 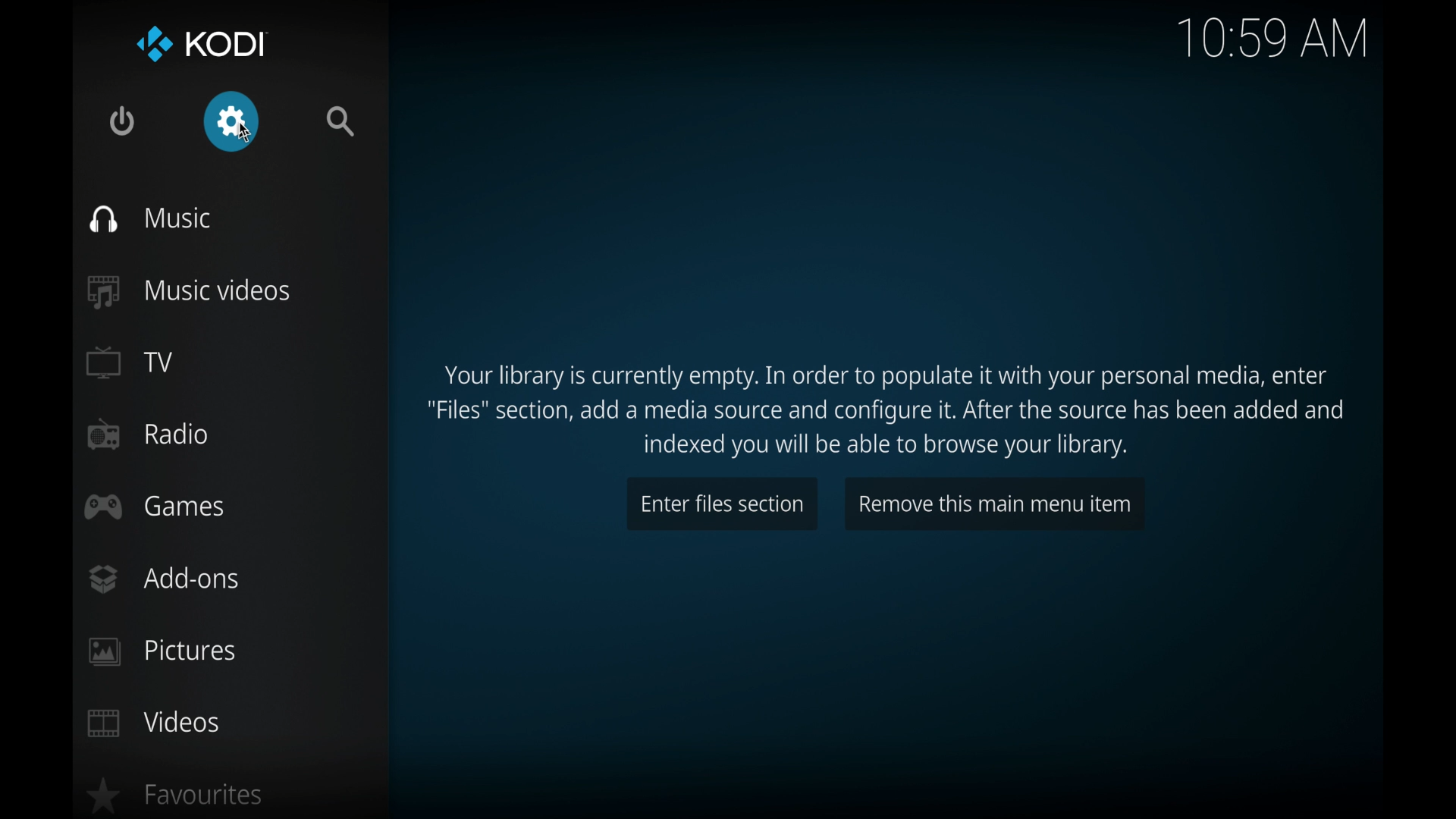 I want to click on cursor, so click(x=246, y=133).